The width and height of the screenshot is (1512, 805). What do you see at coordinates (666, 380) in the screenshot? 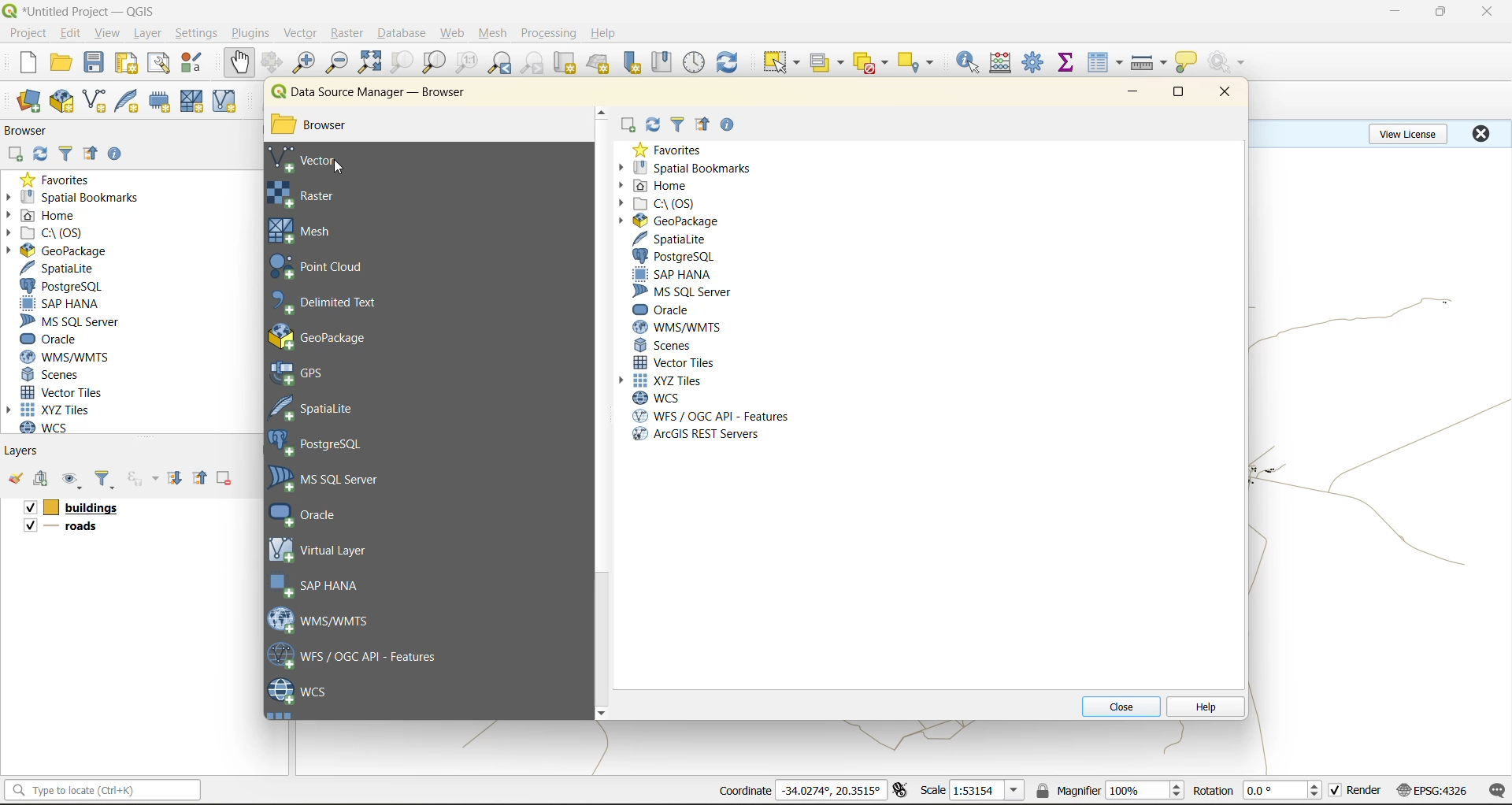
I see `xyz tiles` at bounding box center [666, 380].